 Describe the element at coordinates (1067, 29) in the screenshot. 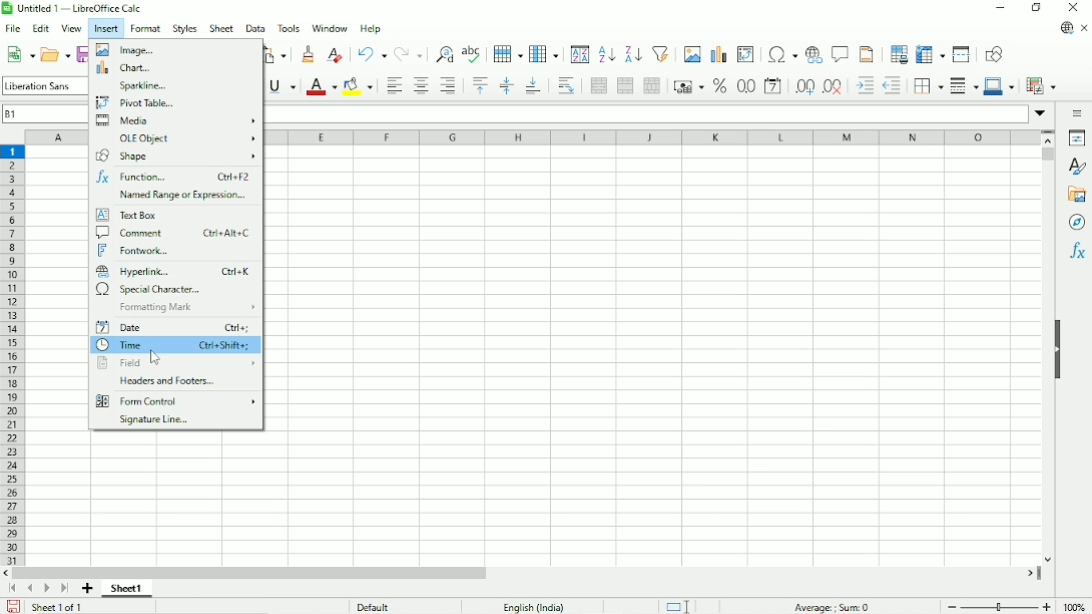

I see `Update available` at that location.